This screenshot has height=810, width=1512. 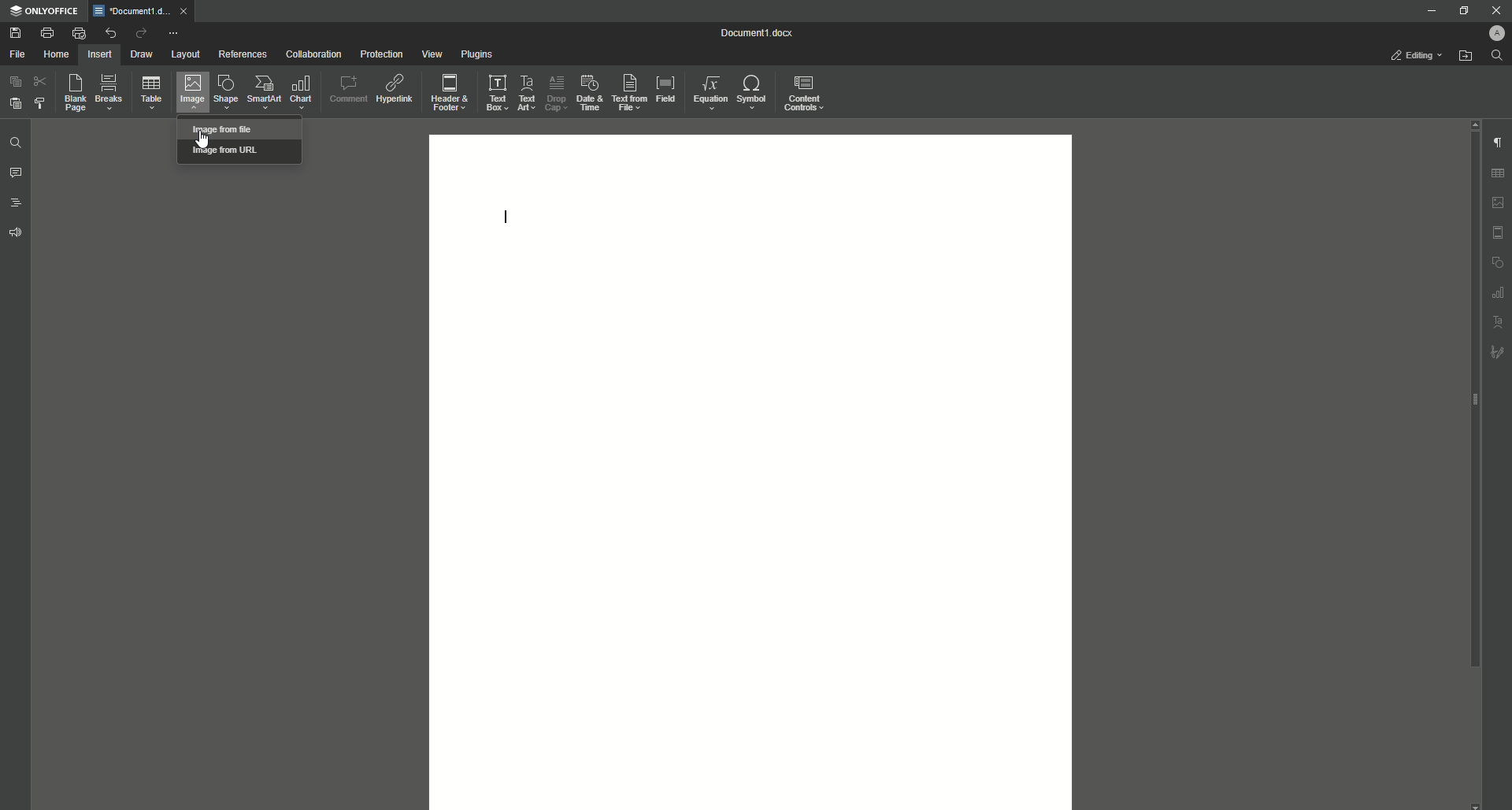 I want to click on Editing, so click(x=1410, y=55).